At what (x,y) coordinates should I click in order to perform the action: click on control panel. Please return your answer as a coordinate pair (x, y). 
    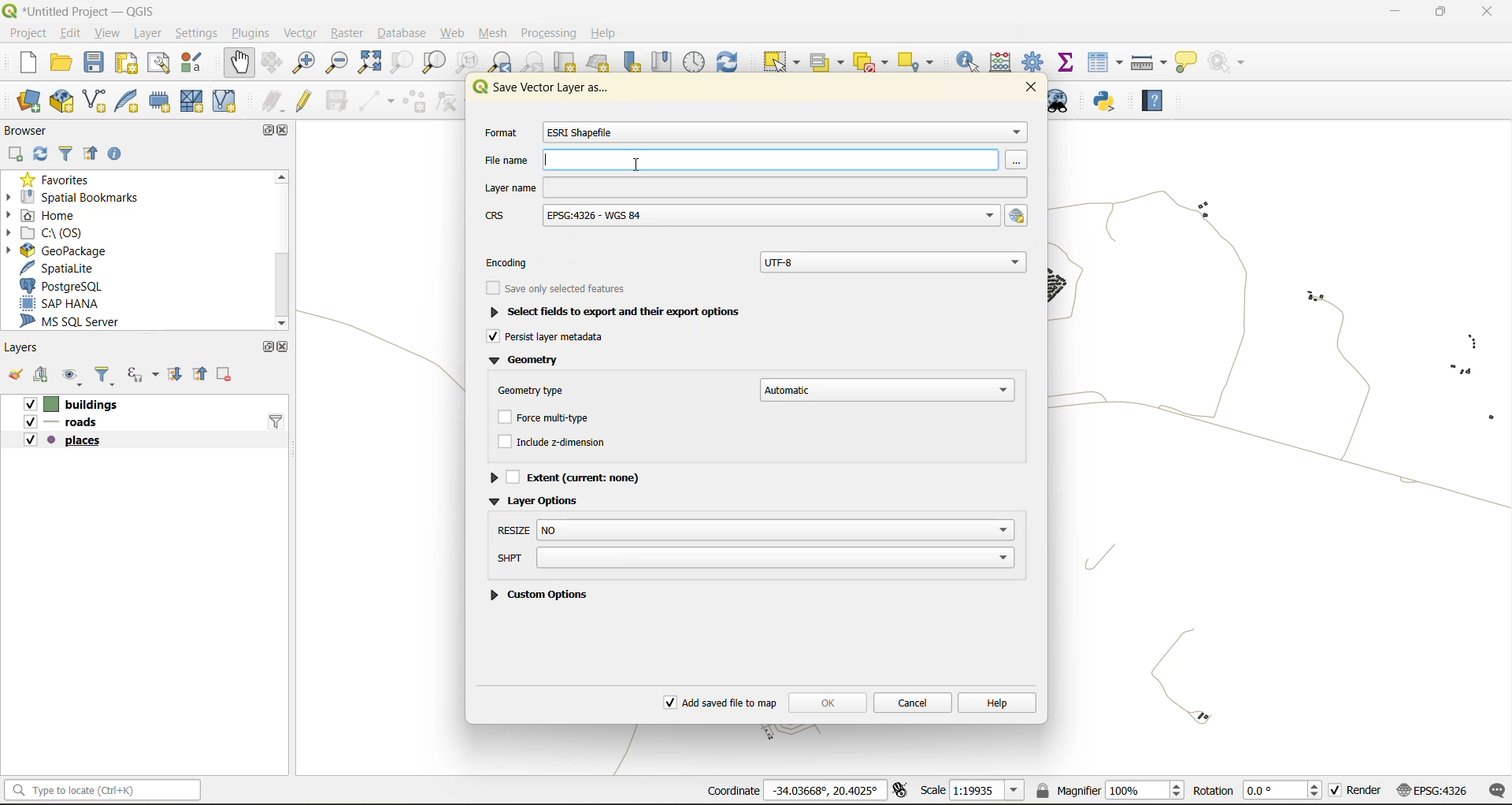
    Looking at the image, I should click on (695, 61).